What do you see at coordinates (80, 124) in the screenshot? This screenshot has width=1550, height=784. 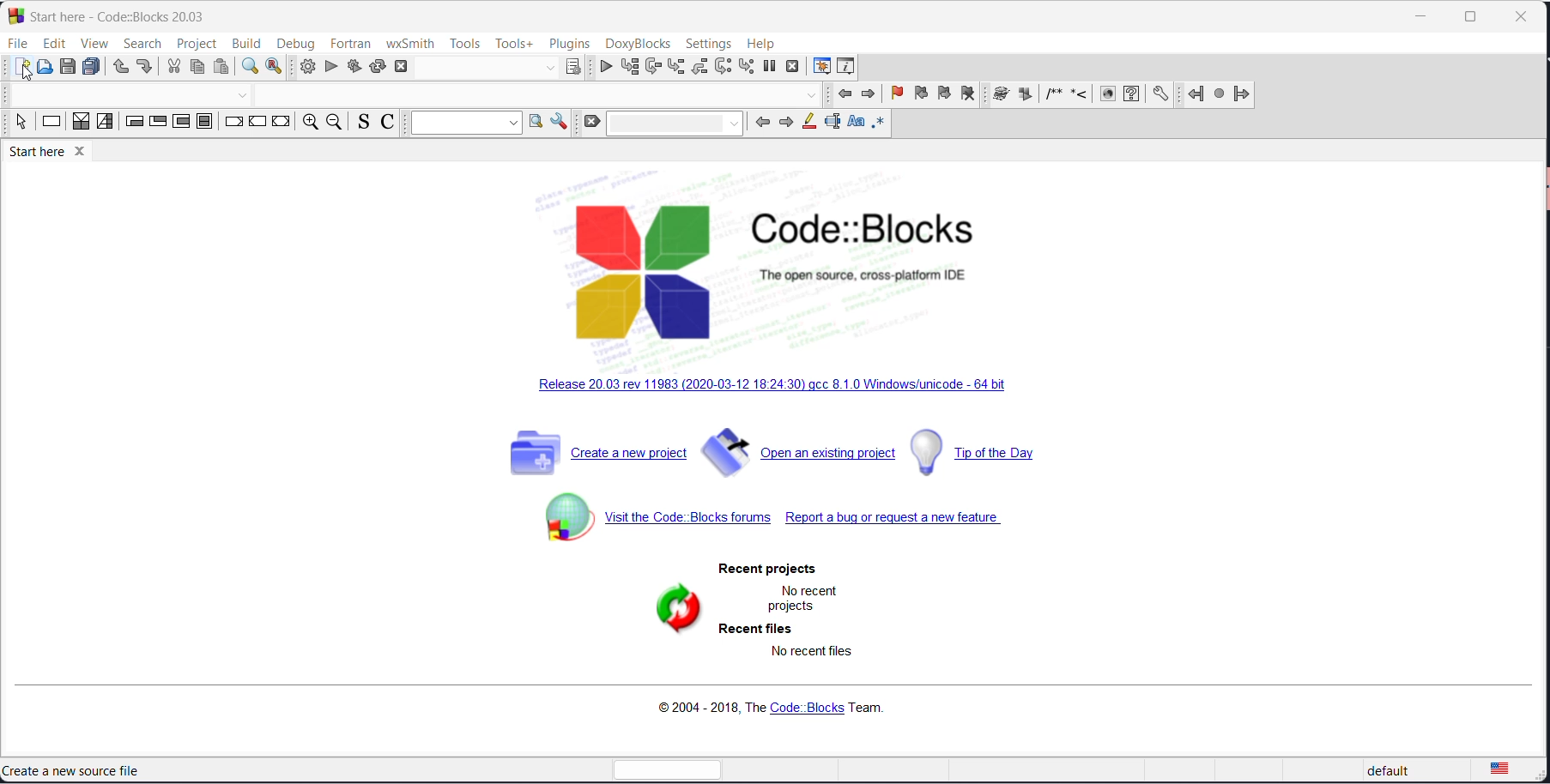 I see `decision` at bounding box center [80, 124].